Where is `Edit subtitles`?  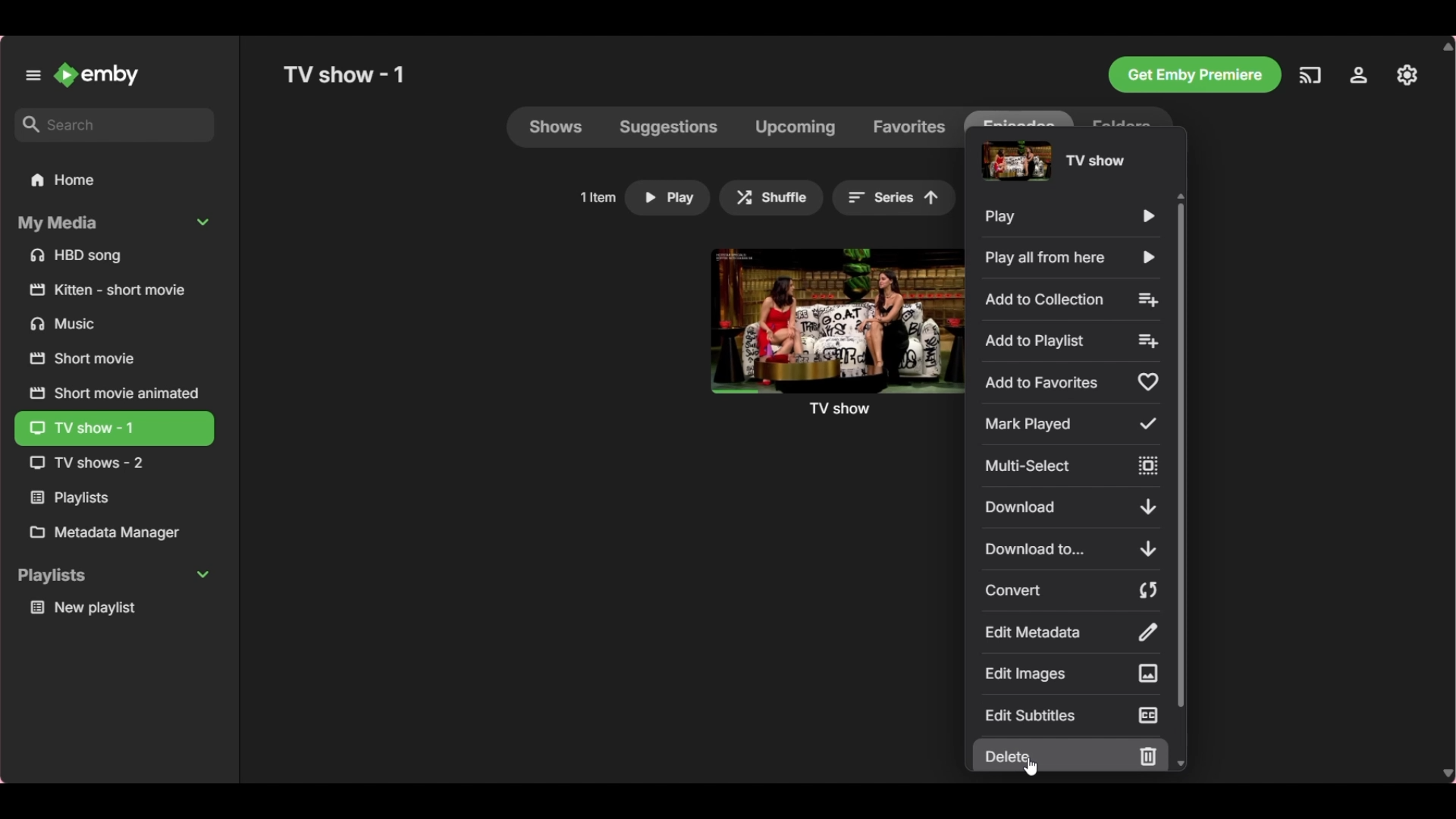 Edit subtitles is located at coordinates (1072, 714).